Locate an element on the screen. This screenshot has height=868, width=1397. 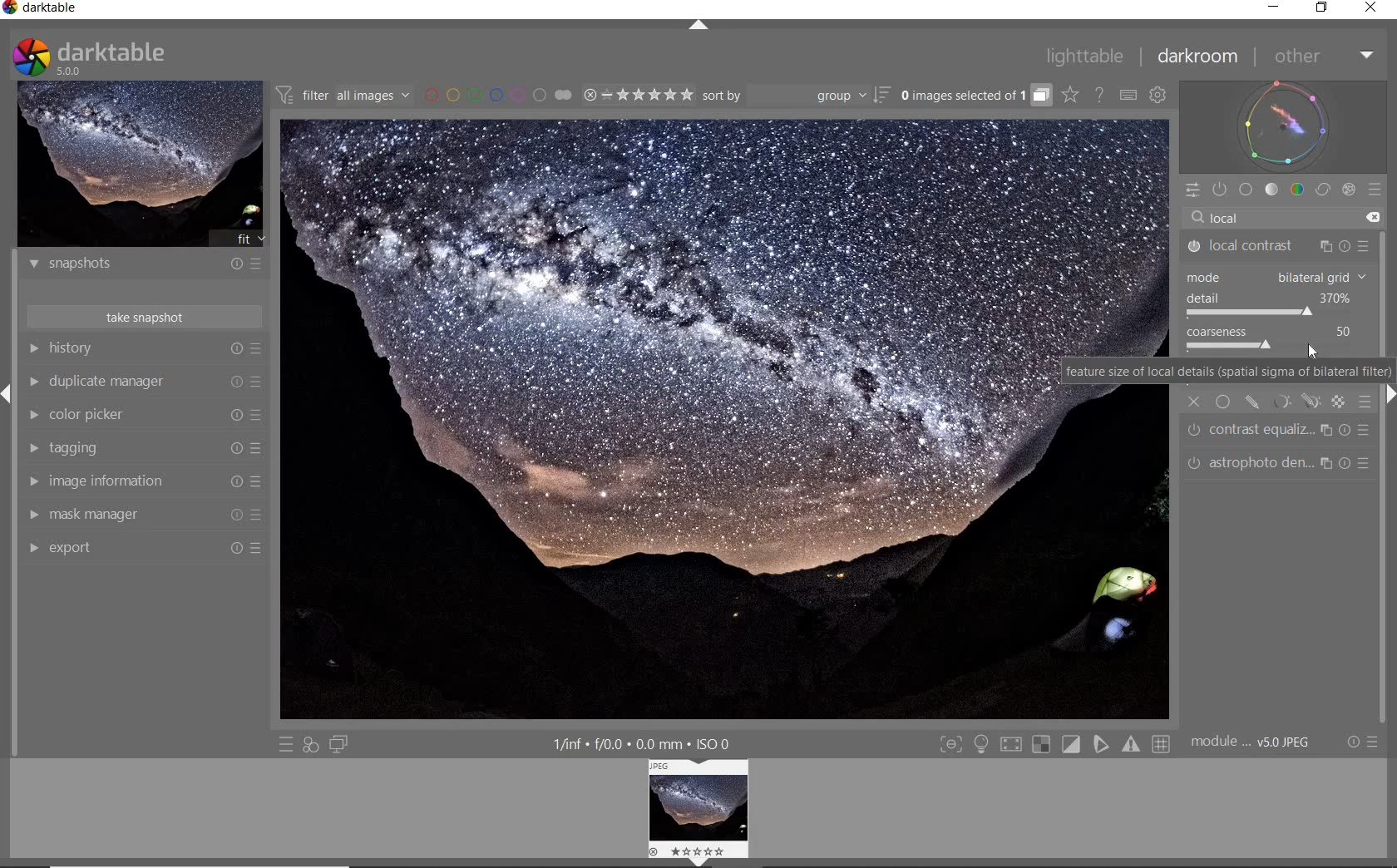
LIGHTTABLE is located at coordinates (1093, 55).